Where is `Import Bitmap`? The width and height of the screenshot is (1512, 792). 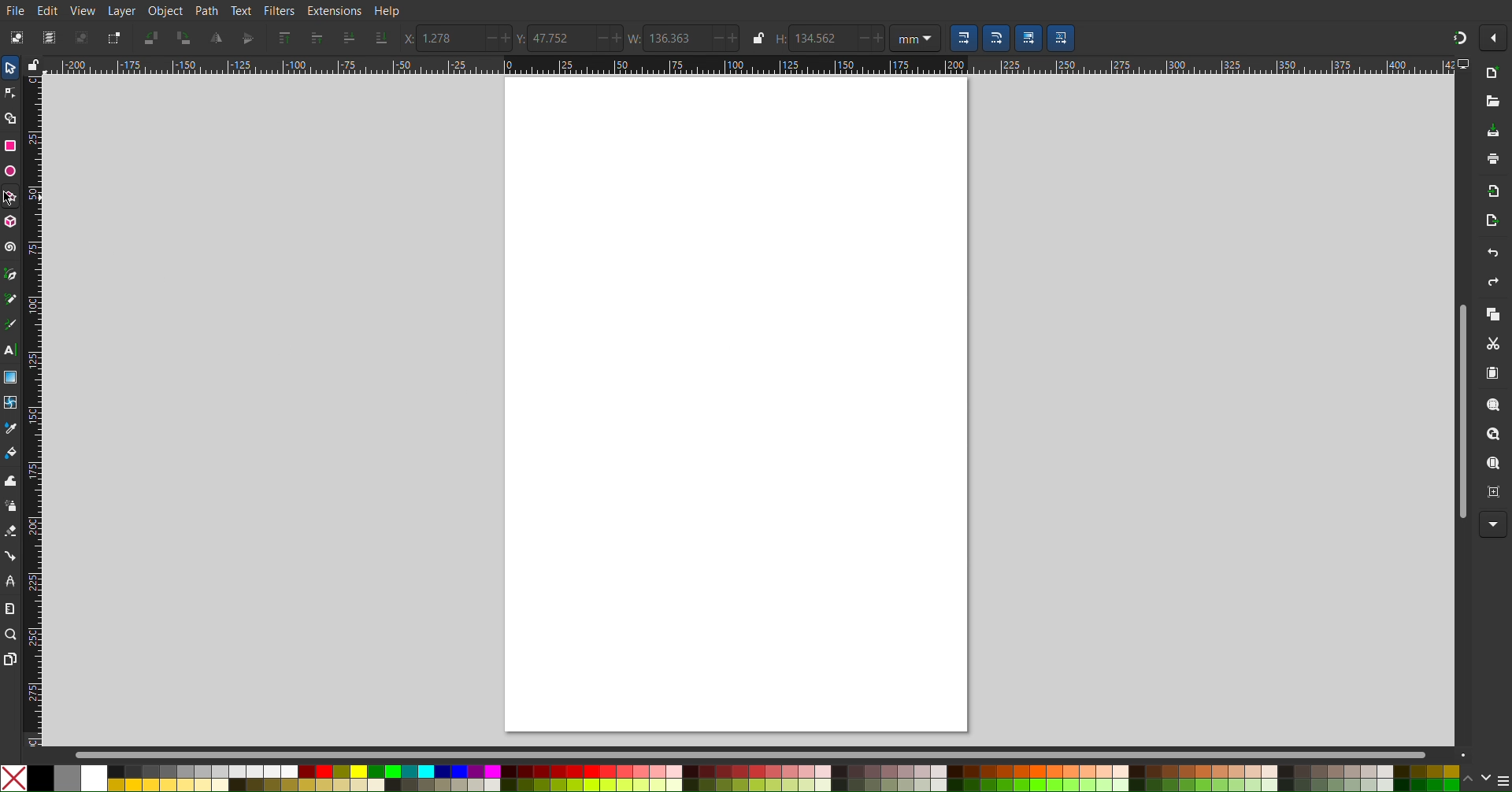
Import Bitmap is located at coordinates (1494, 194).